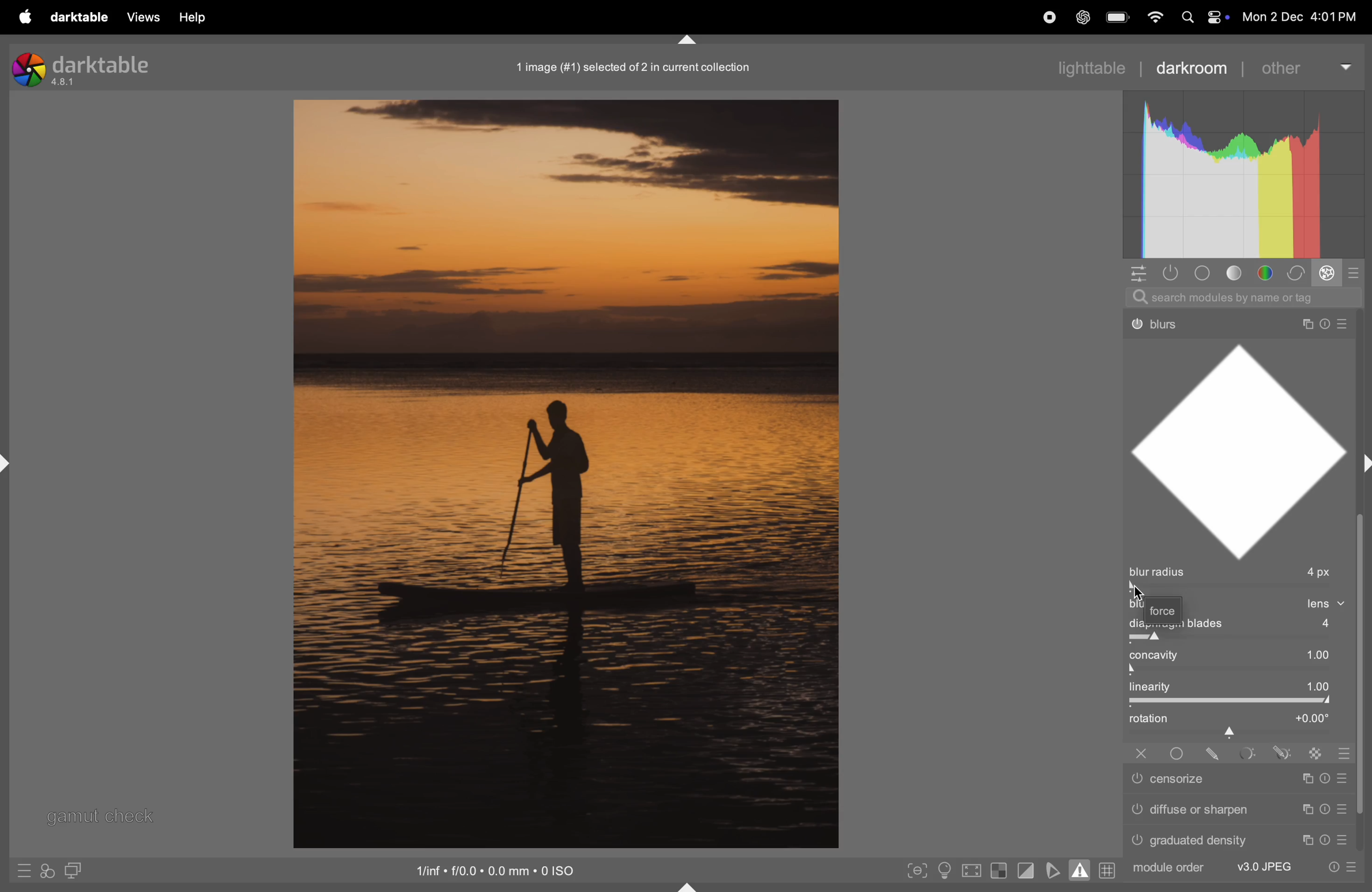 This screenshot has height=892, width=1372. Describe the element at coordinates (917, 871) in the screenshot. I see `toggle peak focusing mode` at that location.